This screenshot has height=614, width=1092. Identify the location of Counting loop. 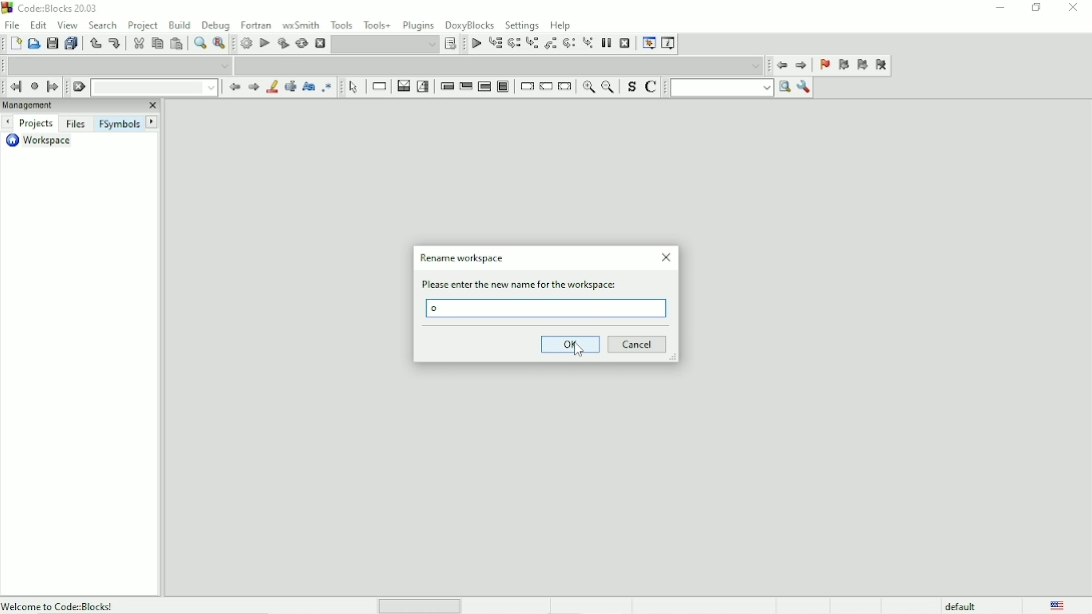
(484, 87).